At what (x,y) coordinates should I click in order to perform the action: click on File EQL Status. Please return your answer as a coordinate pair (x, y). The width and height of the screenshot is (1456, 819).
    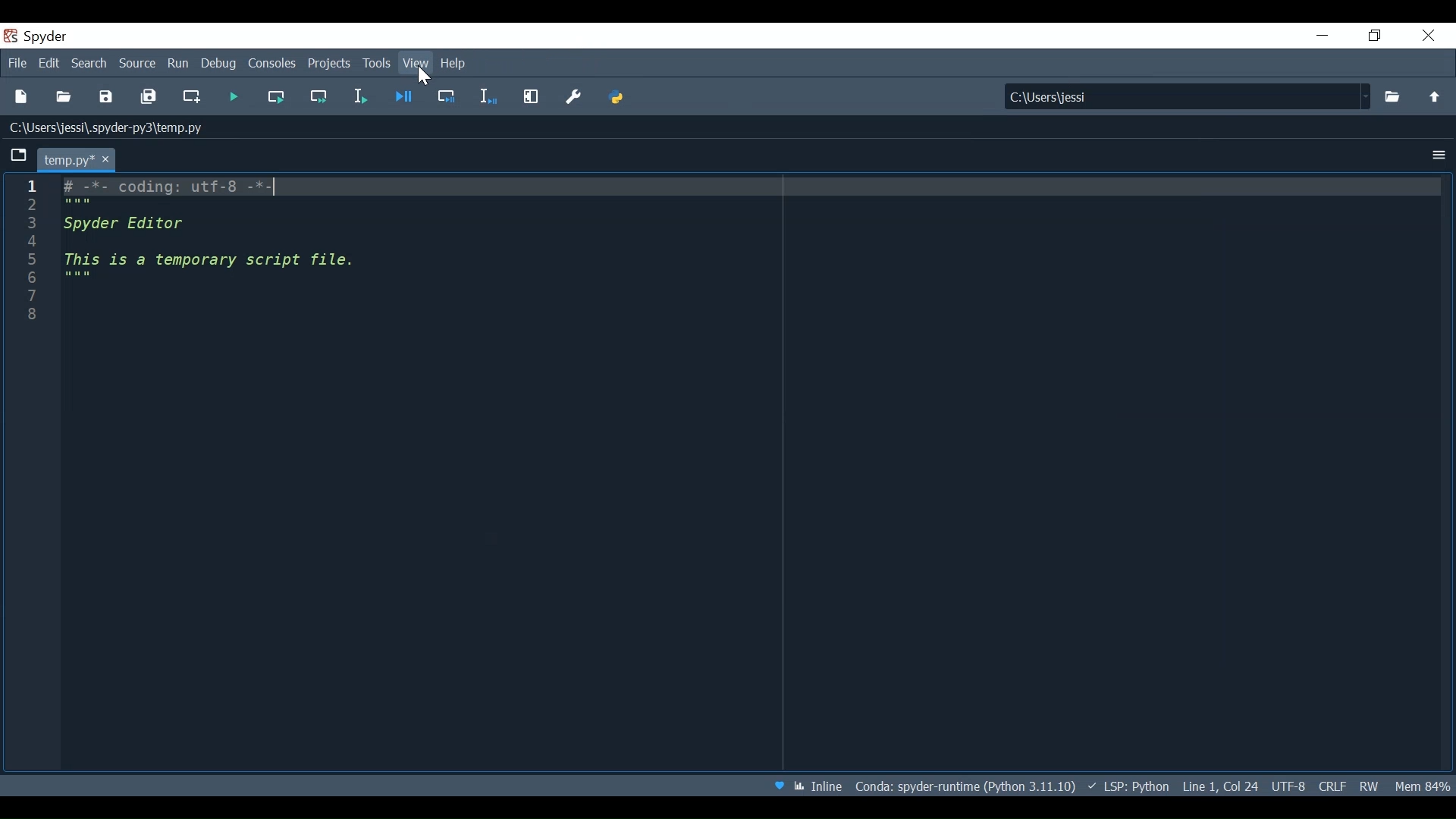
    Looking at the image, I should click on (1332, 784).